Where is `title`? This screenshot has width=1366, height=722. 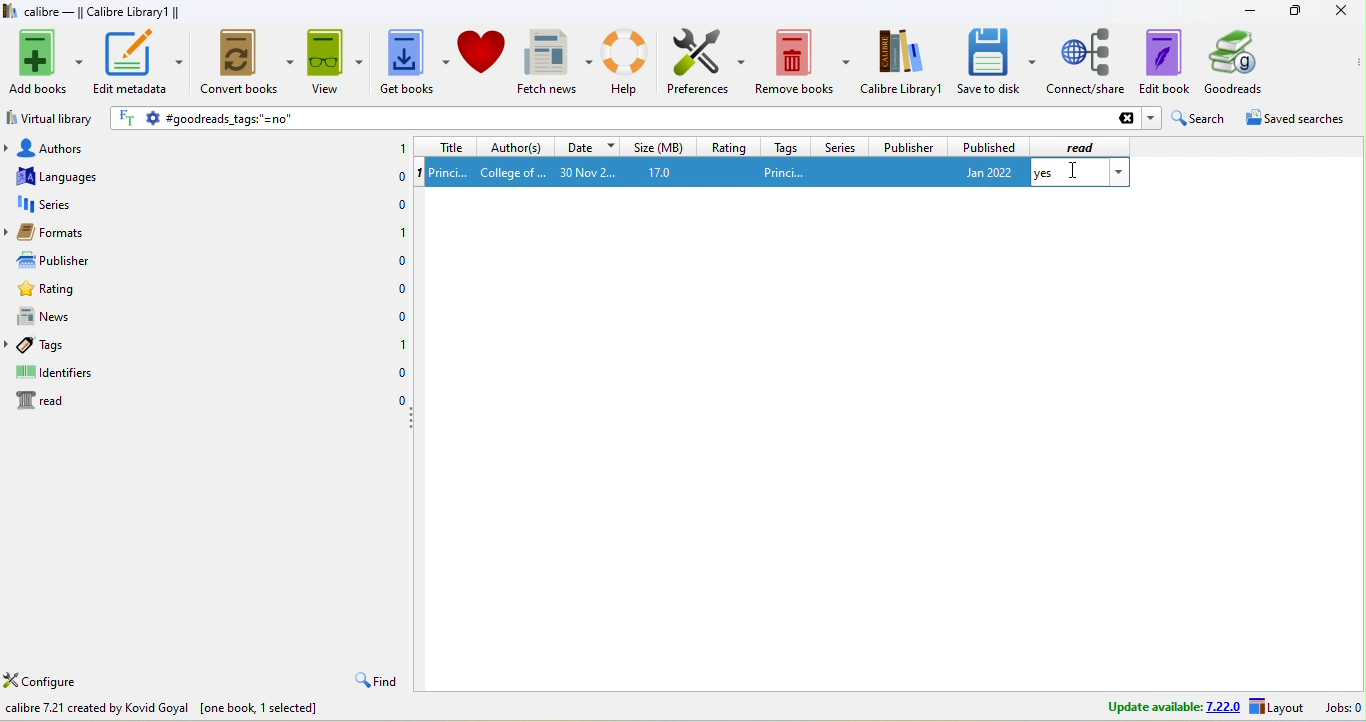 title is located at coordinates (444, 147).